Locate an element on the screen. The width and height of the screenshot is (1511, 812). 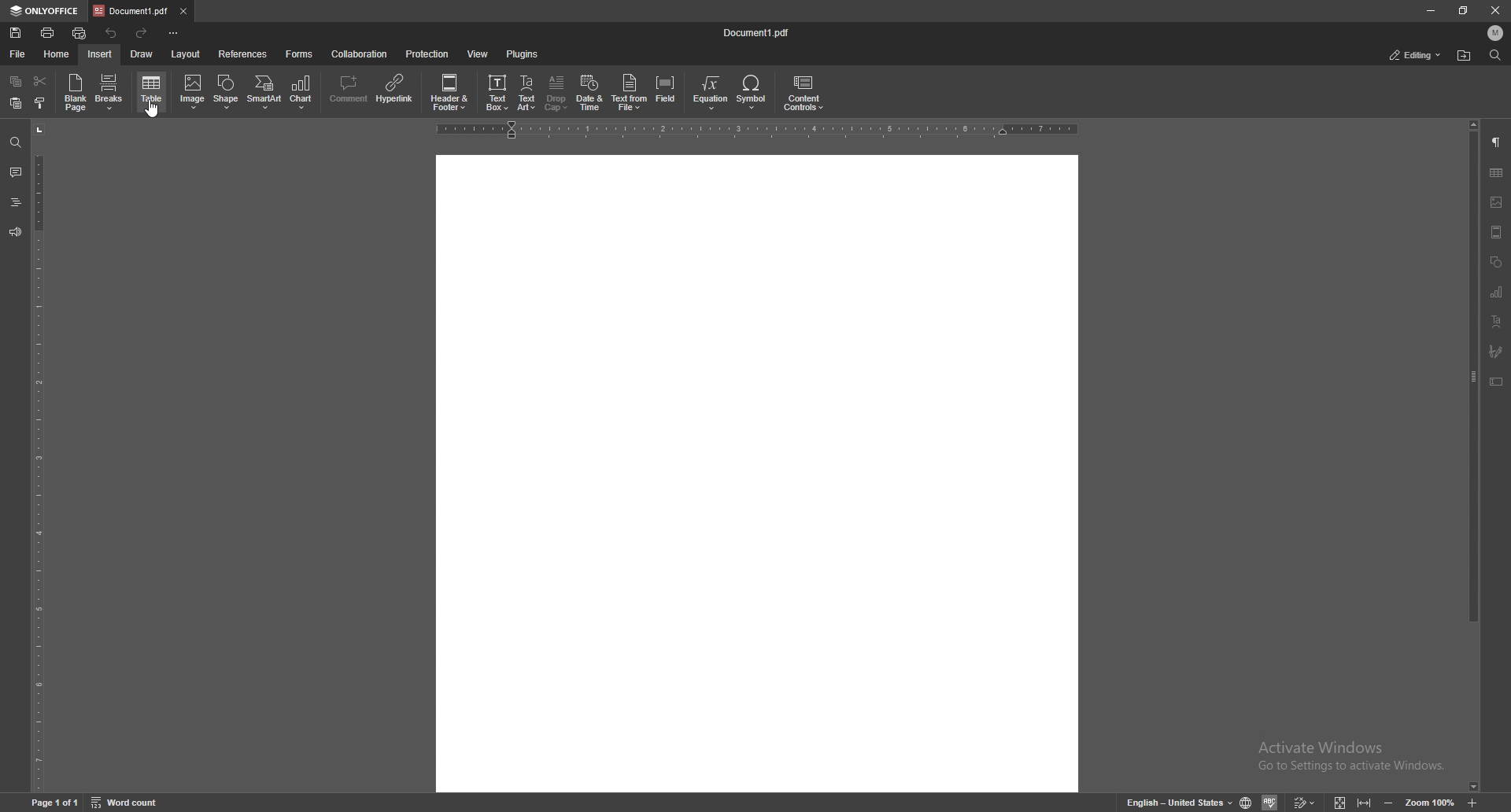
shape is located at coordinates (228, 91).